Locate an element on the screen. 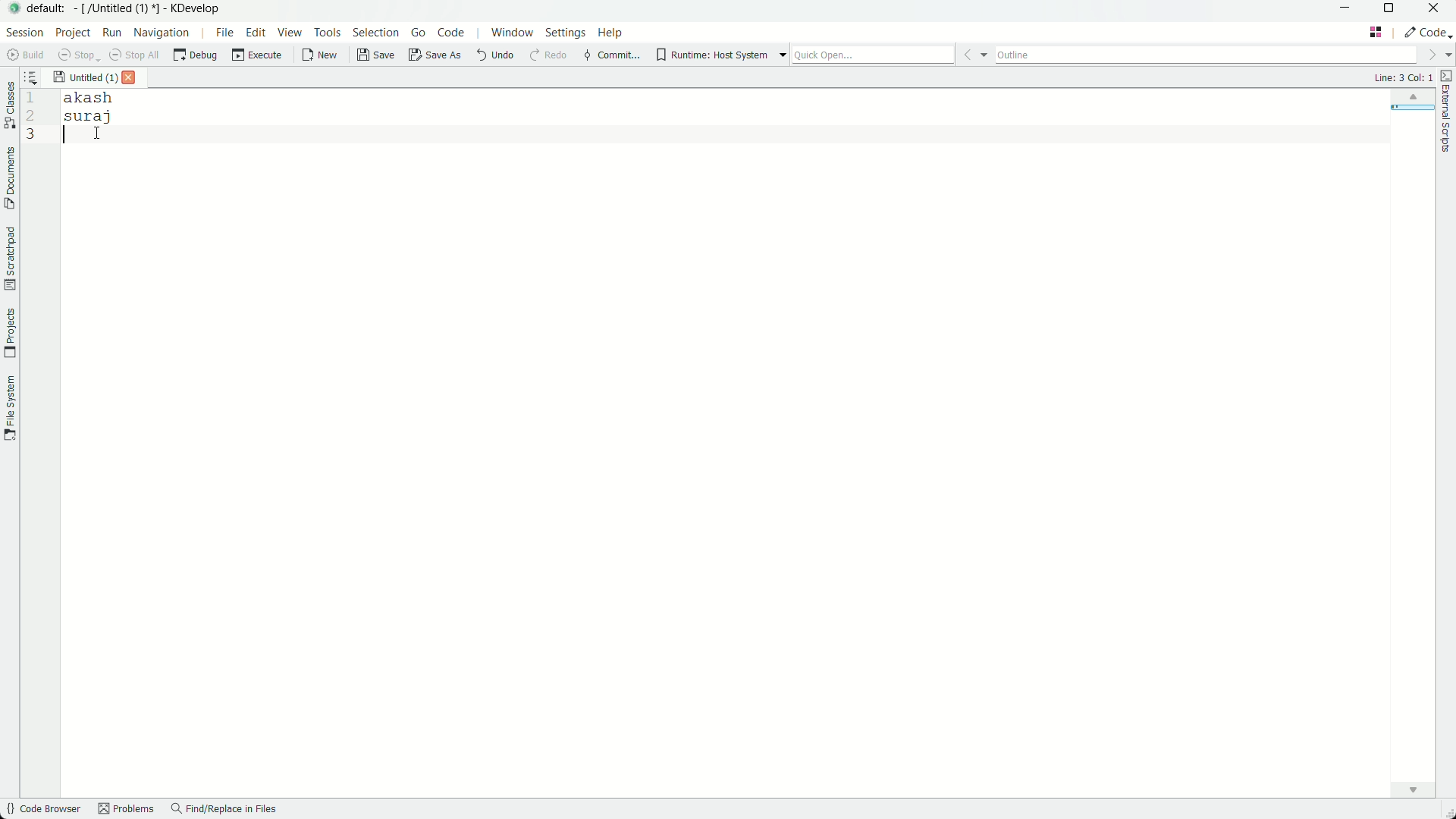 This screenshot has width=1456, height=819. Cursor is located at coordinates (99, 133).